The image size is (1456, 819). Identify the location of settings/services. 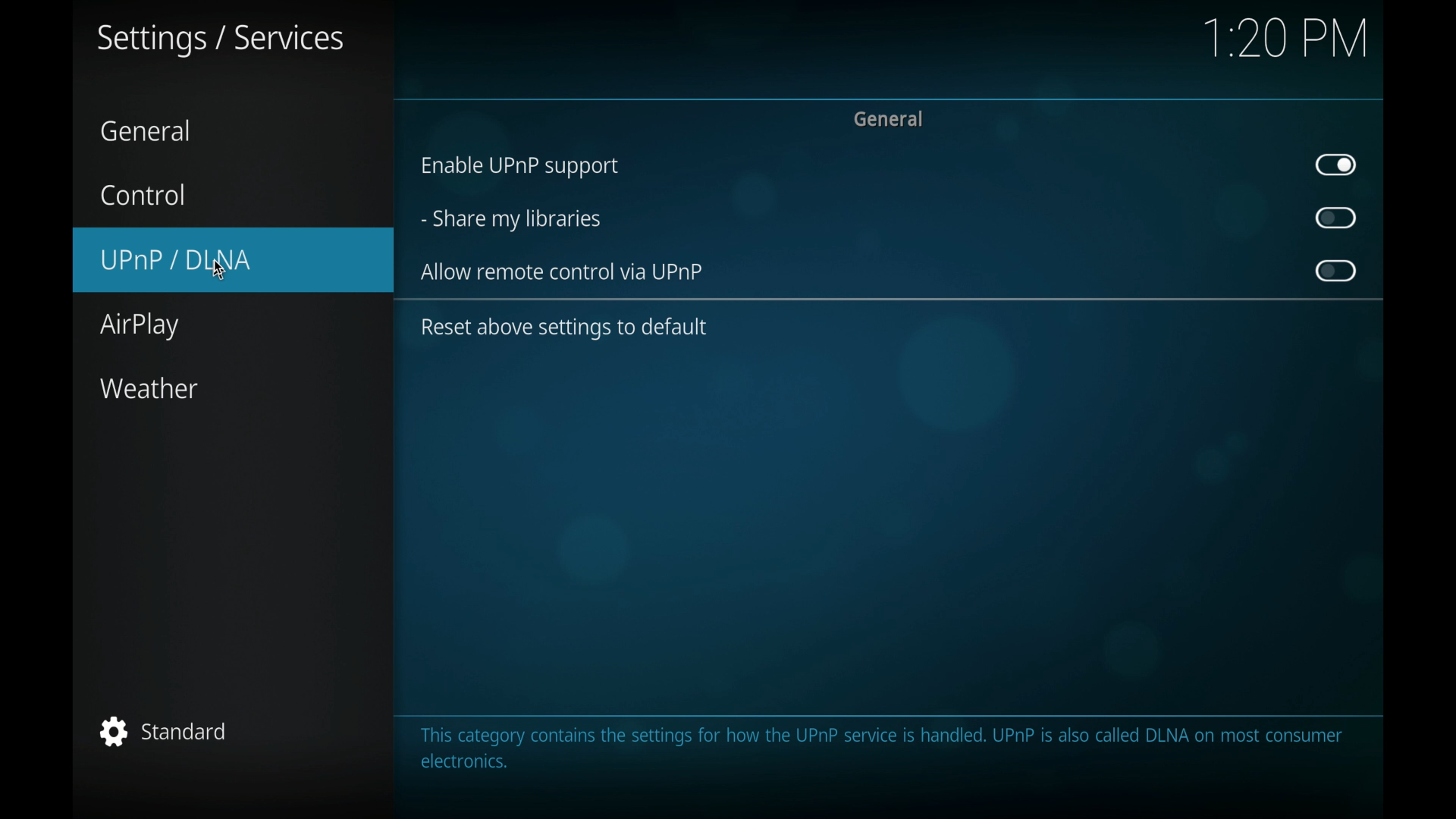
(219, 40).